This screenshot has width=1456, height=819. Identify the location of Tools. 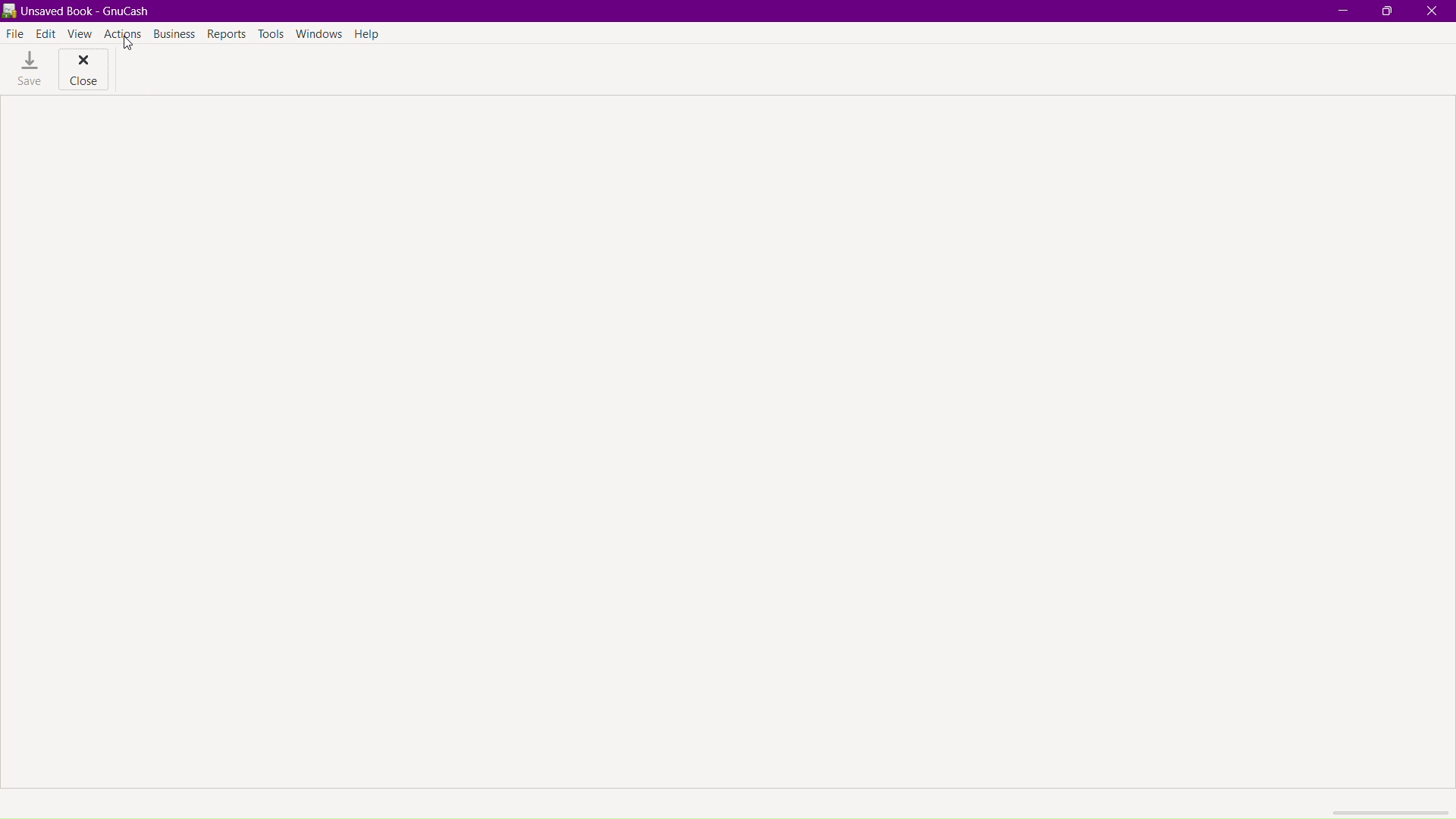
(272, 32).